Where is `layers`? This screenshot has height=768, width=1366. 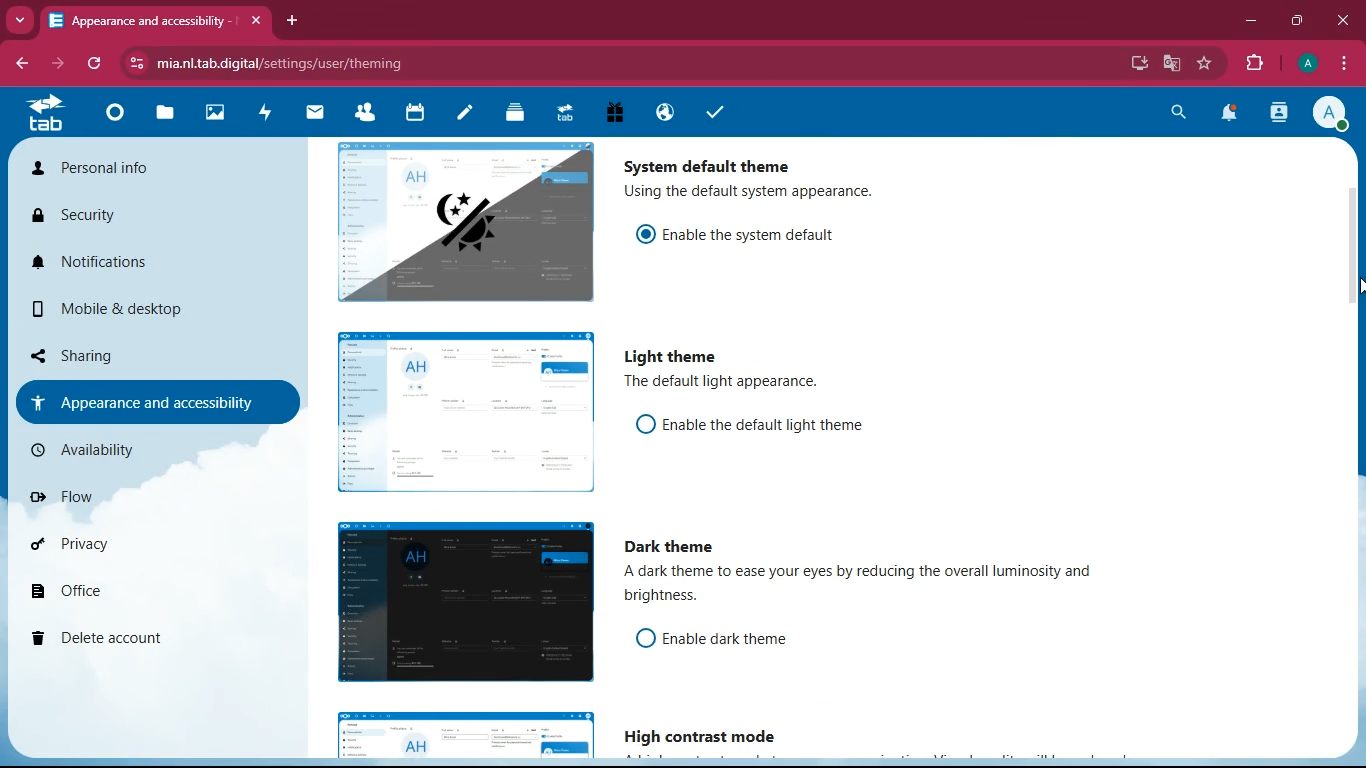 layers is located at coordinates (515, 115).